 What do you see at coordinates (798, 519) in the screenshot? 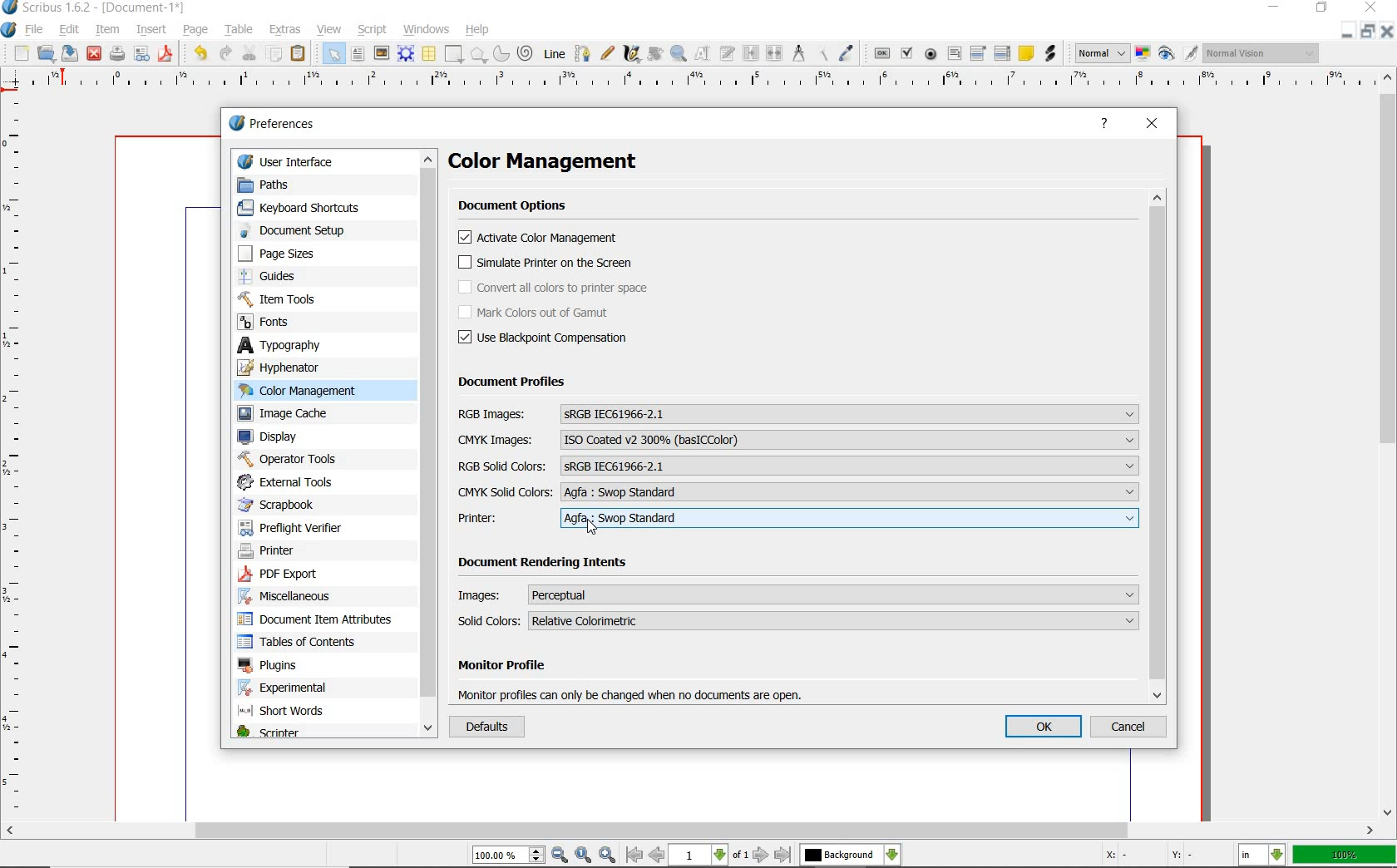
I see `PRINTER` at bounding box center [798, 519].